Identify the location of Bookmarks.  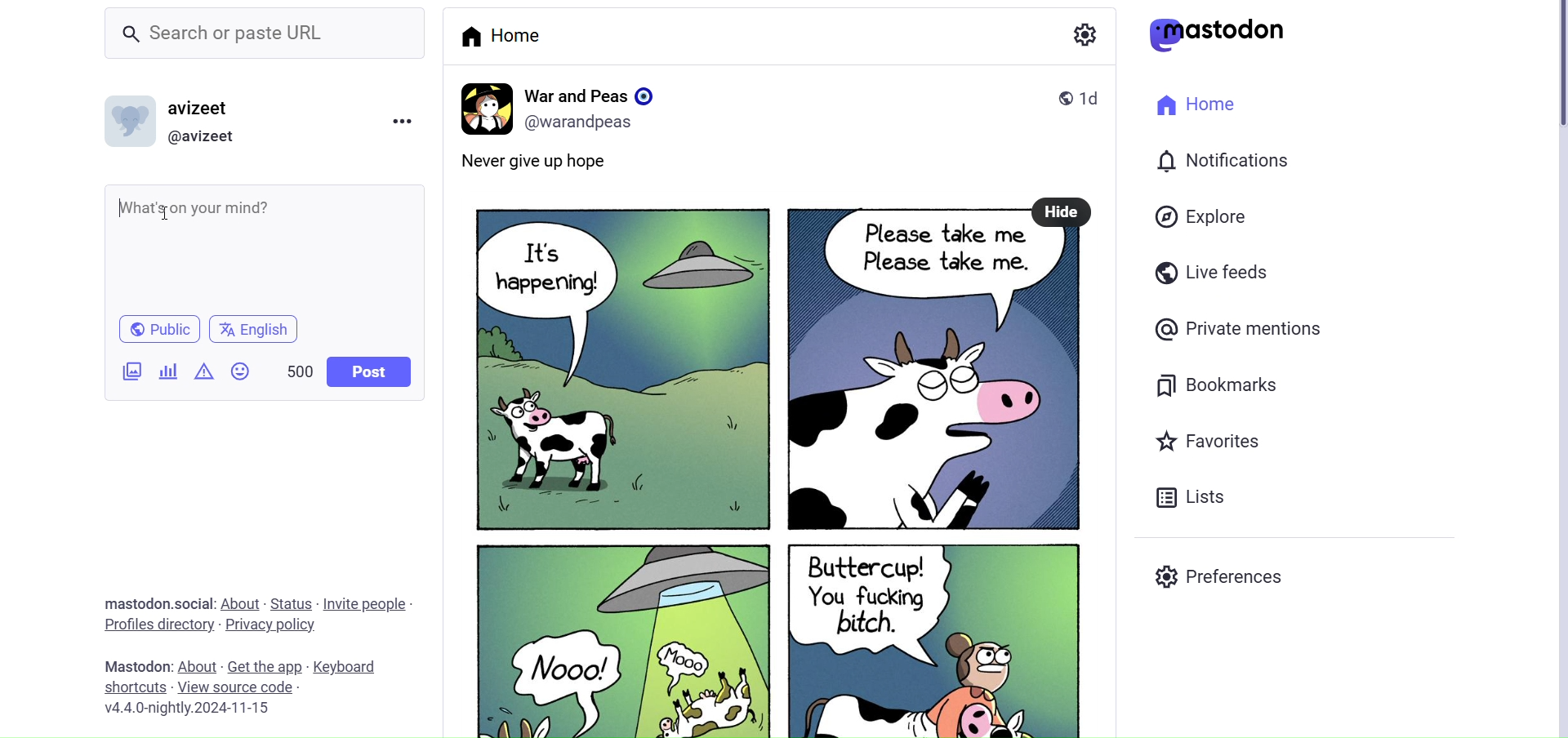
(1215, 383).